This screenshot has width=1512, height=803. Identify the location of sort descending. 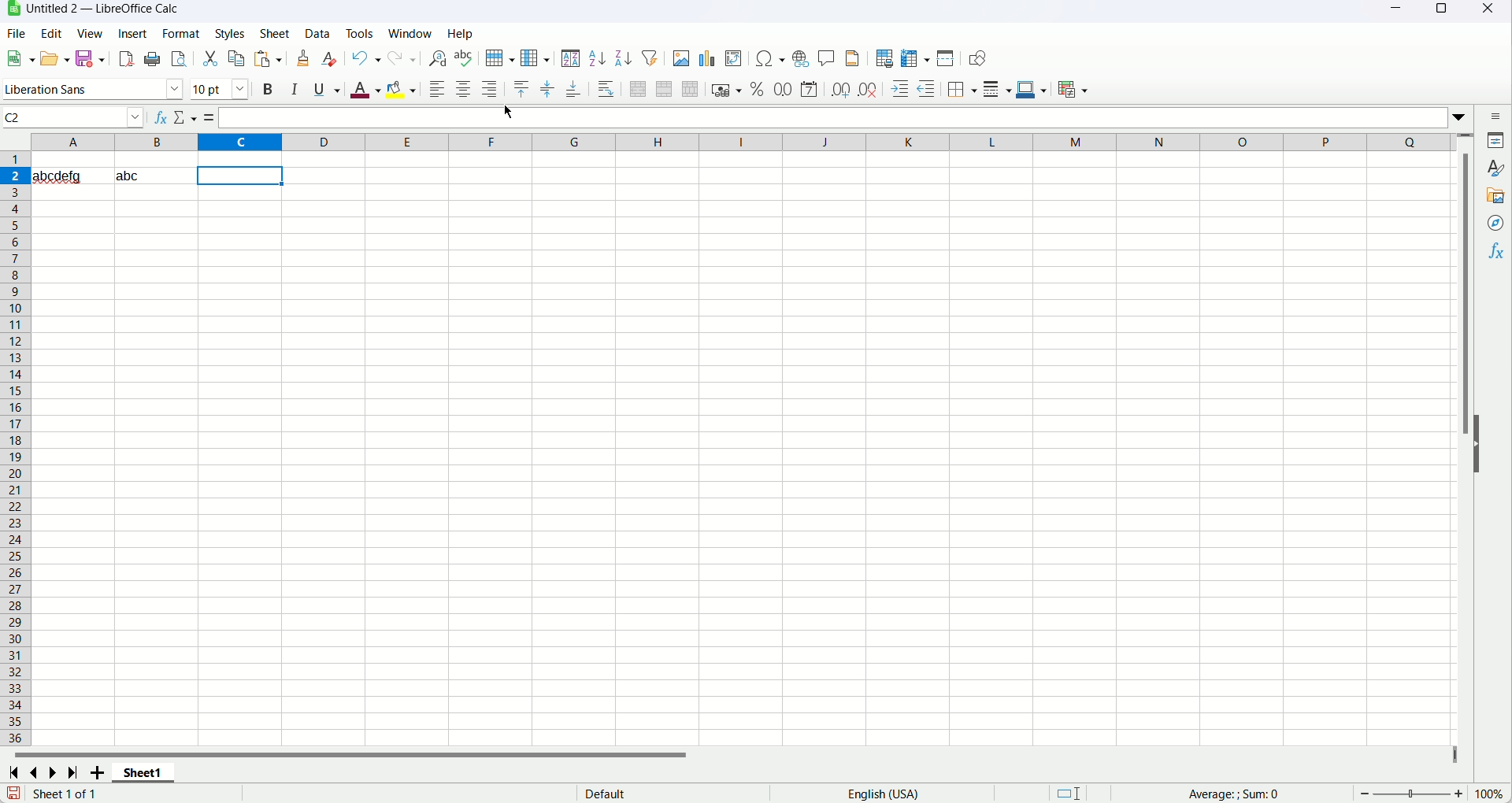
(624, 59).